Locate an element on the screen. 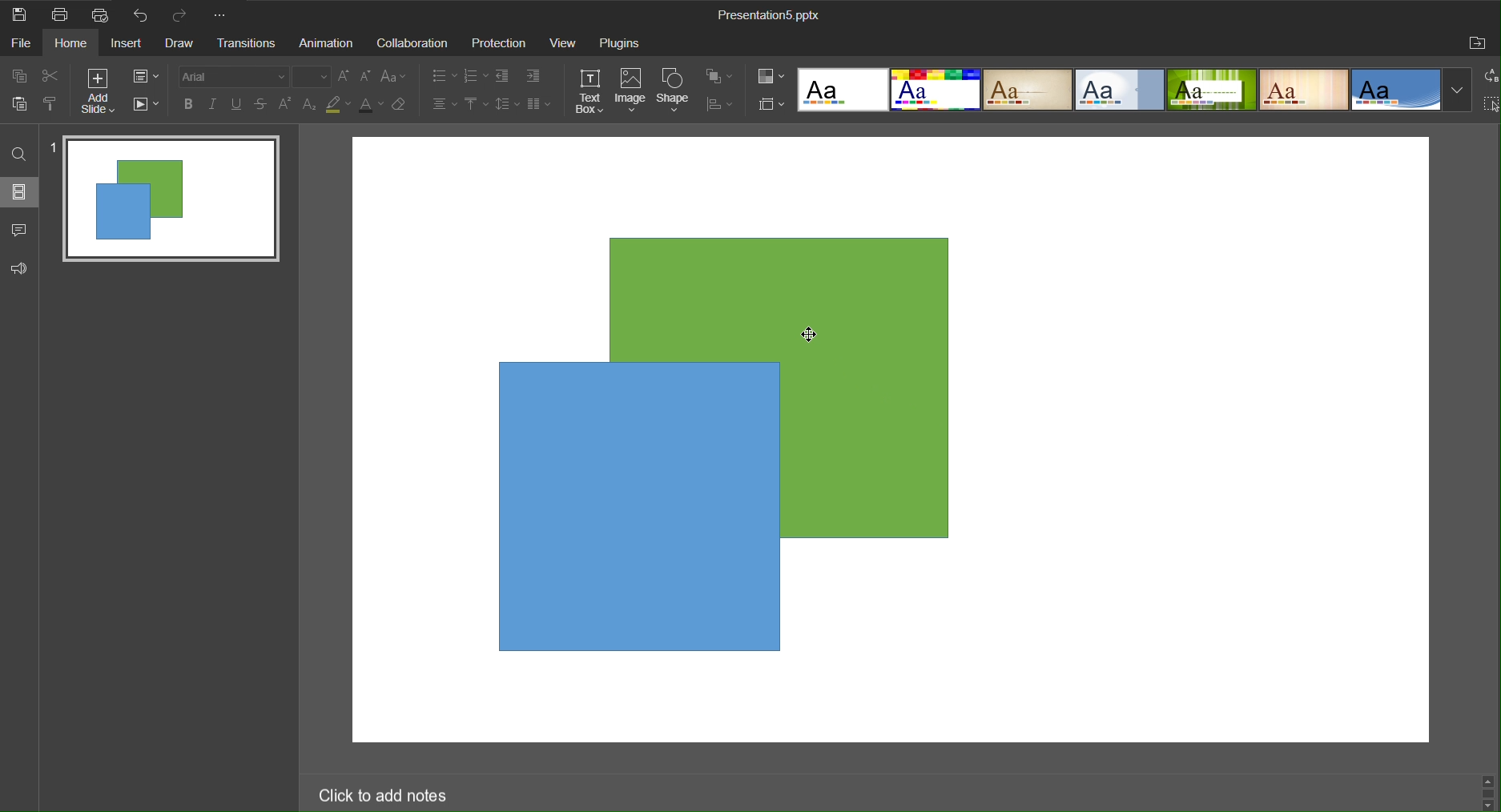 The image size is (1501, 812). Shape is located at coordinates (675, 89).